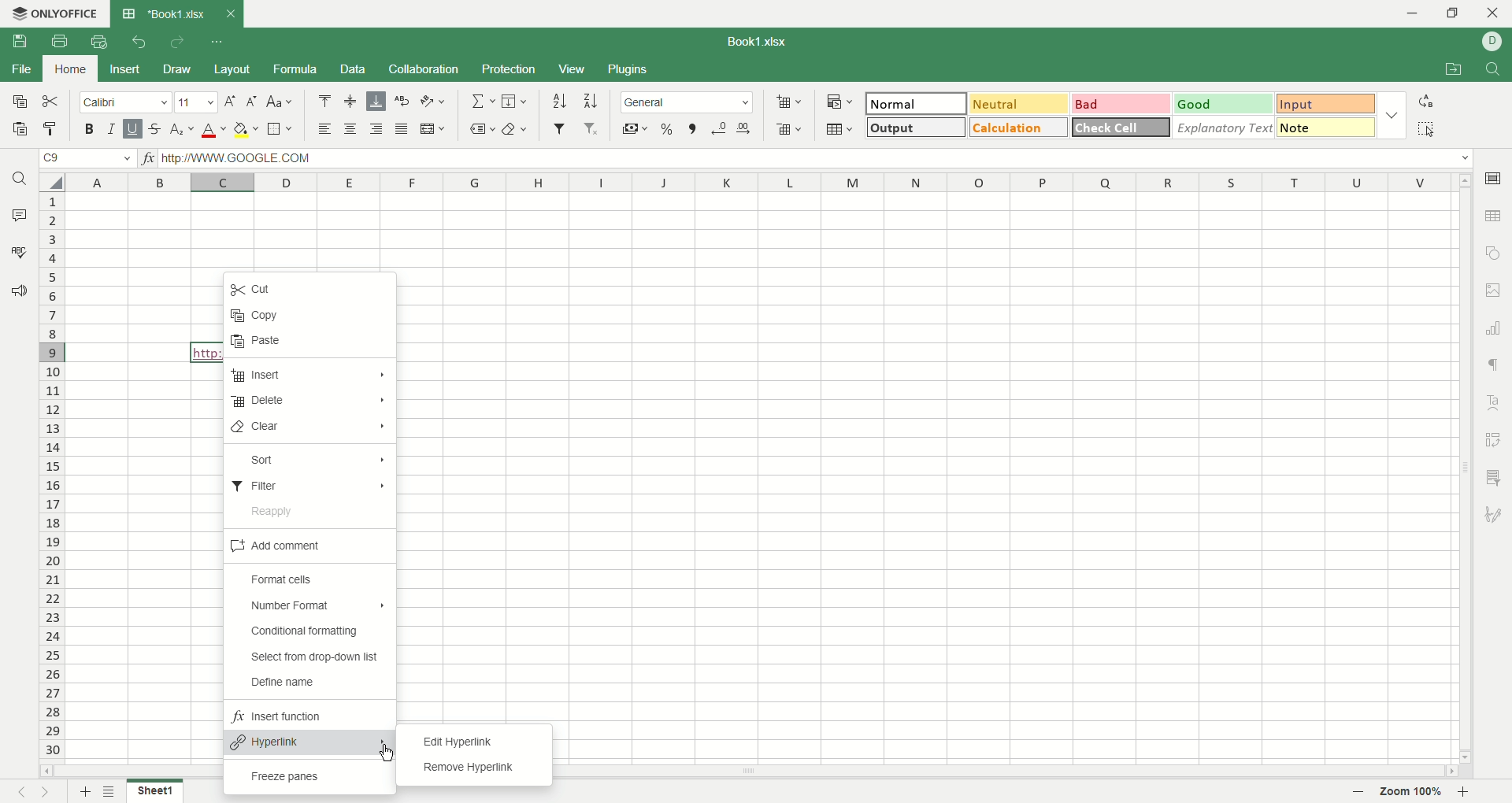  I want to click on open file location, so click(1450, 71).